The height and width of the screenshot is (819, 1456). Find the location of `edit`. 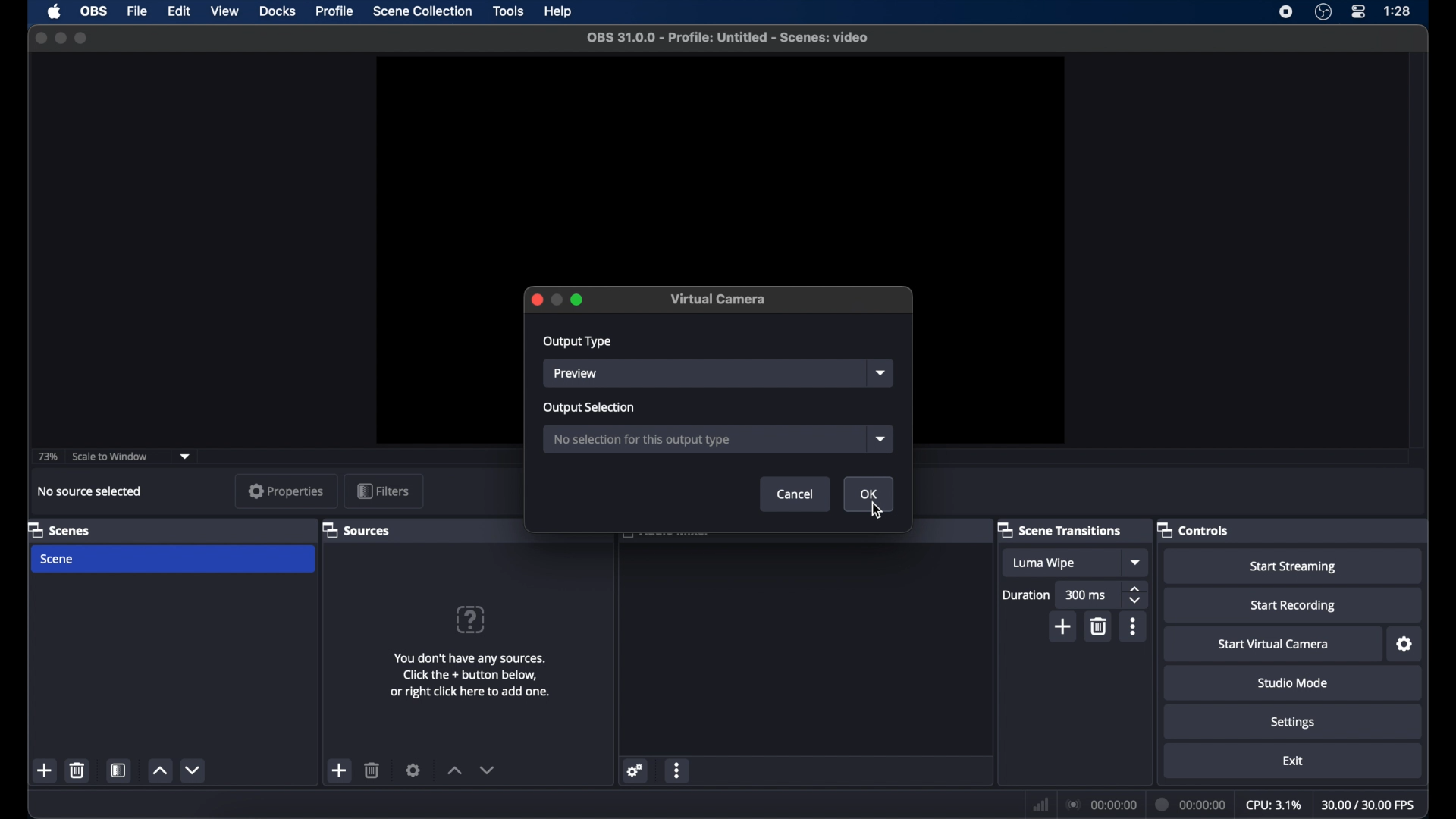

edit is located at coordinates (178, 12).